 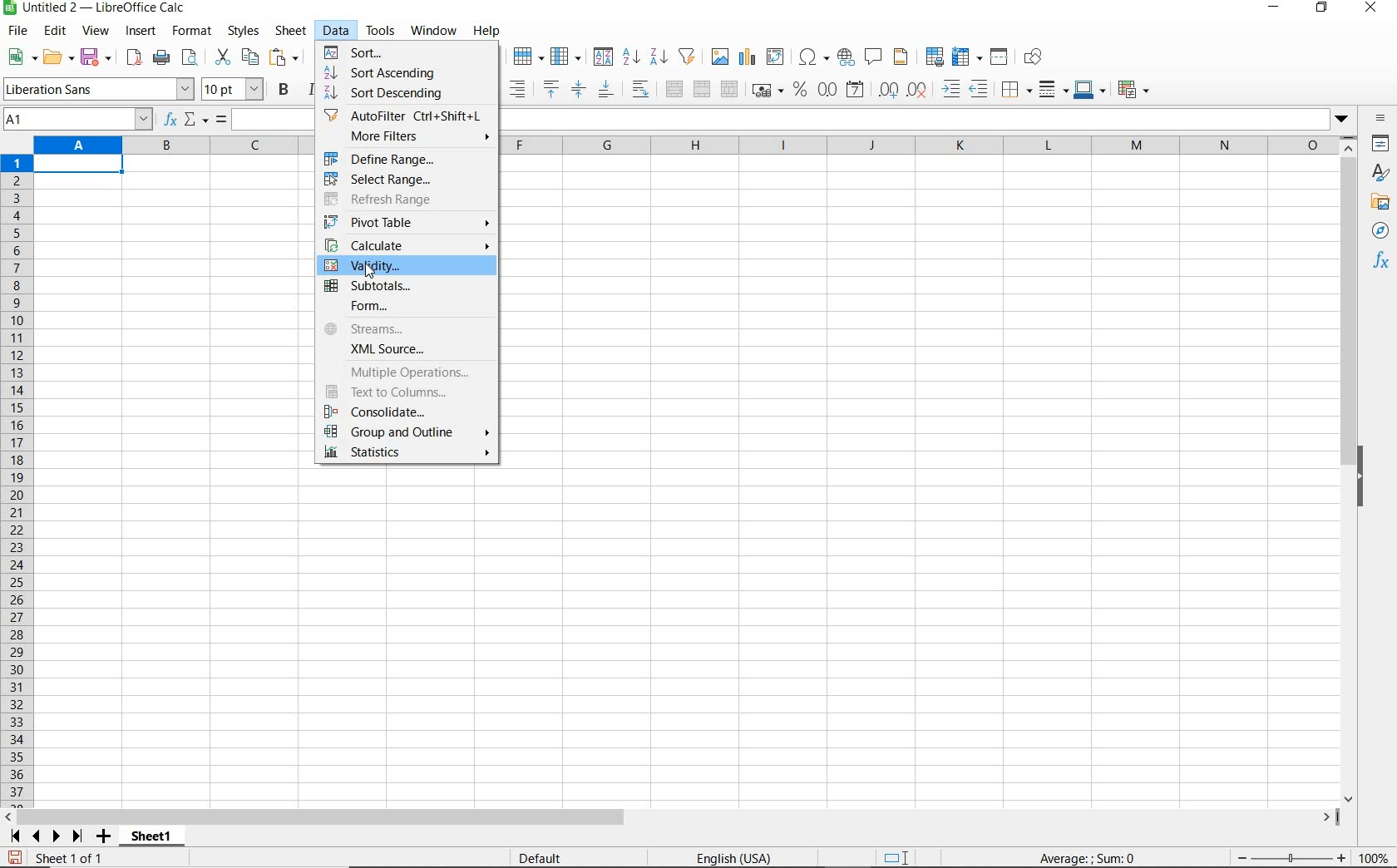 I want to click on streams, so click(x=404, y=328).